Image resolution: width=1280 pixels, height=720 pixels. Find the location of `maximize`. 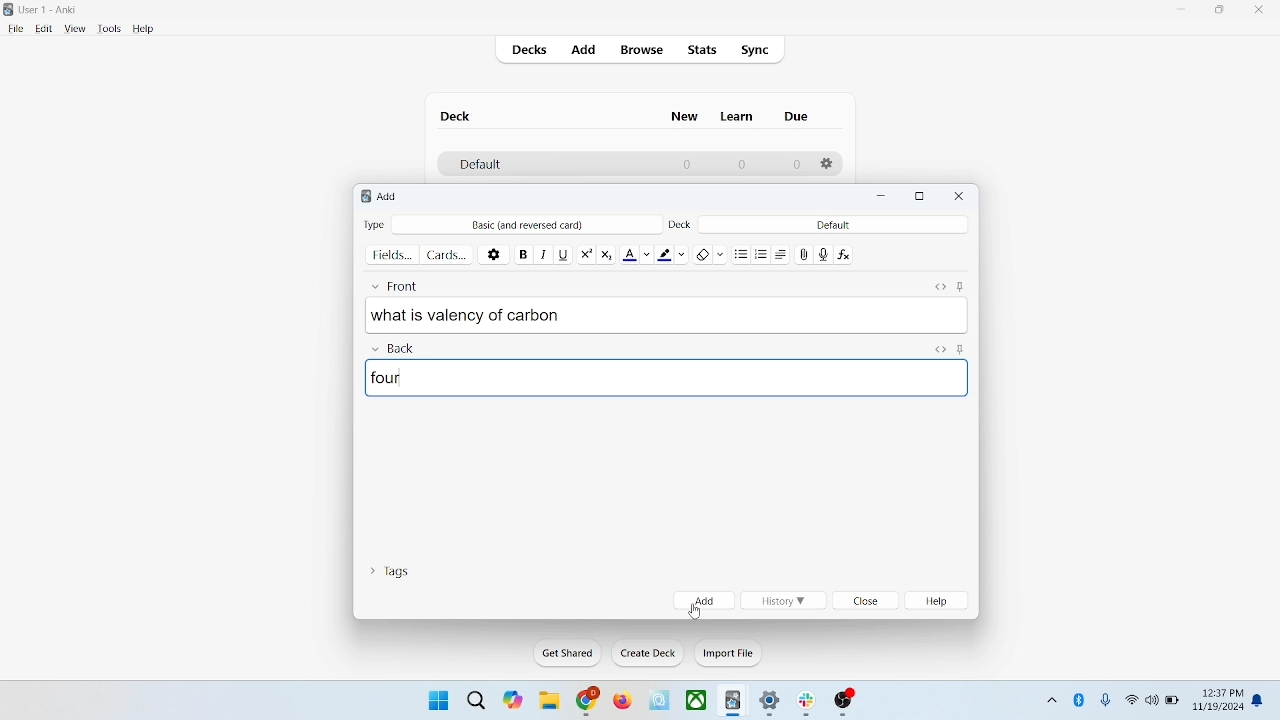

maximize is located at coordinates (1220, 13).